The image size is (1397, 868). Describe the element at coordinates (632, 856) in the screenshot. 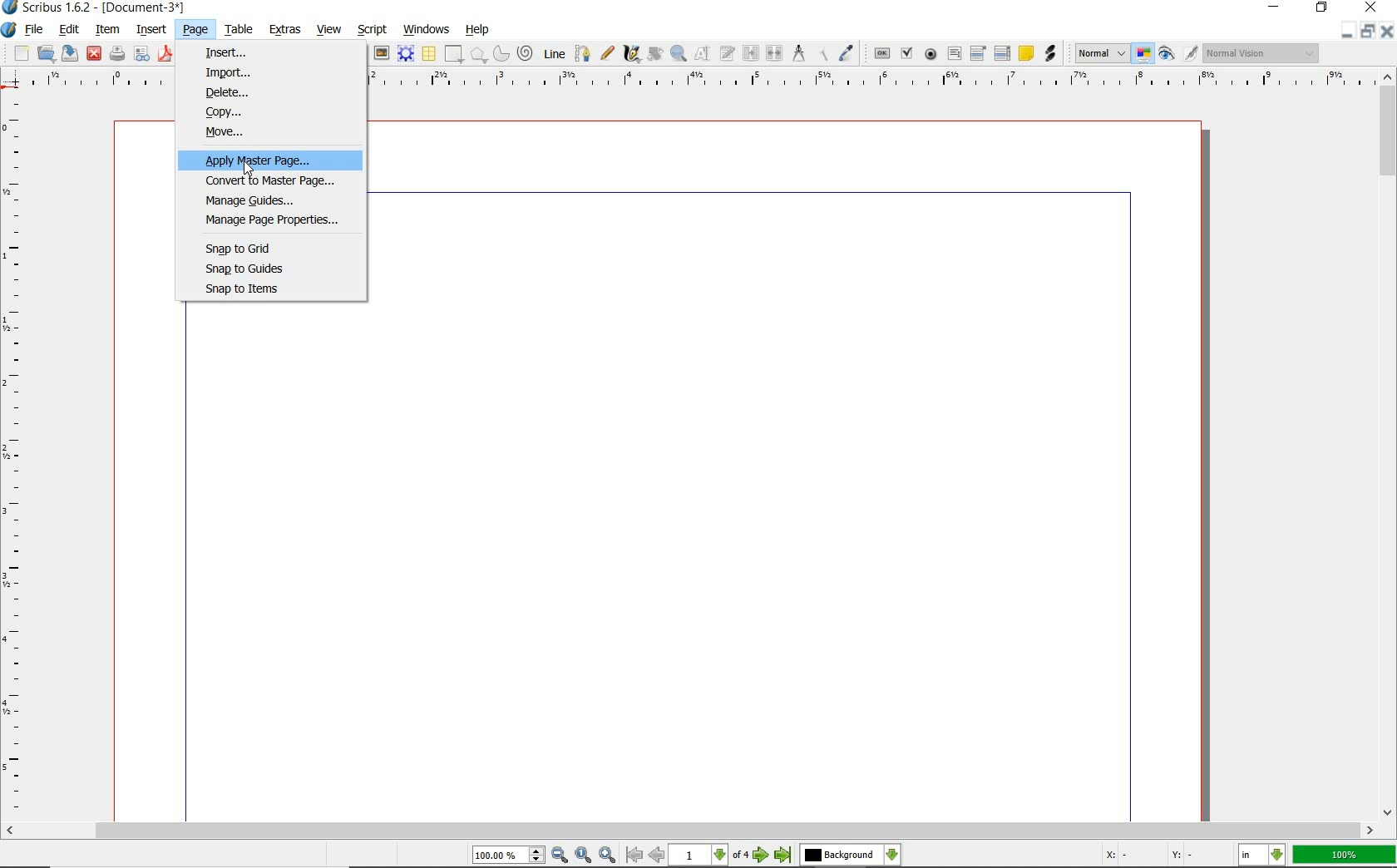

I see `First Page` at that location.